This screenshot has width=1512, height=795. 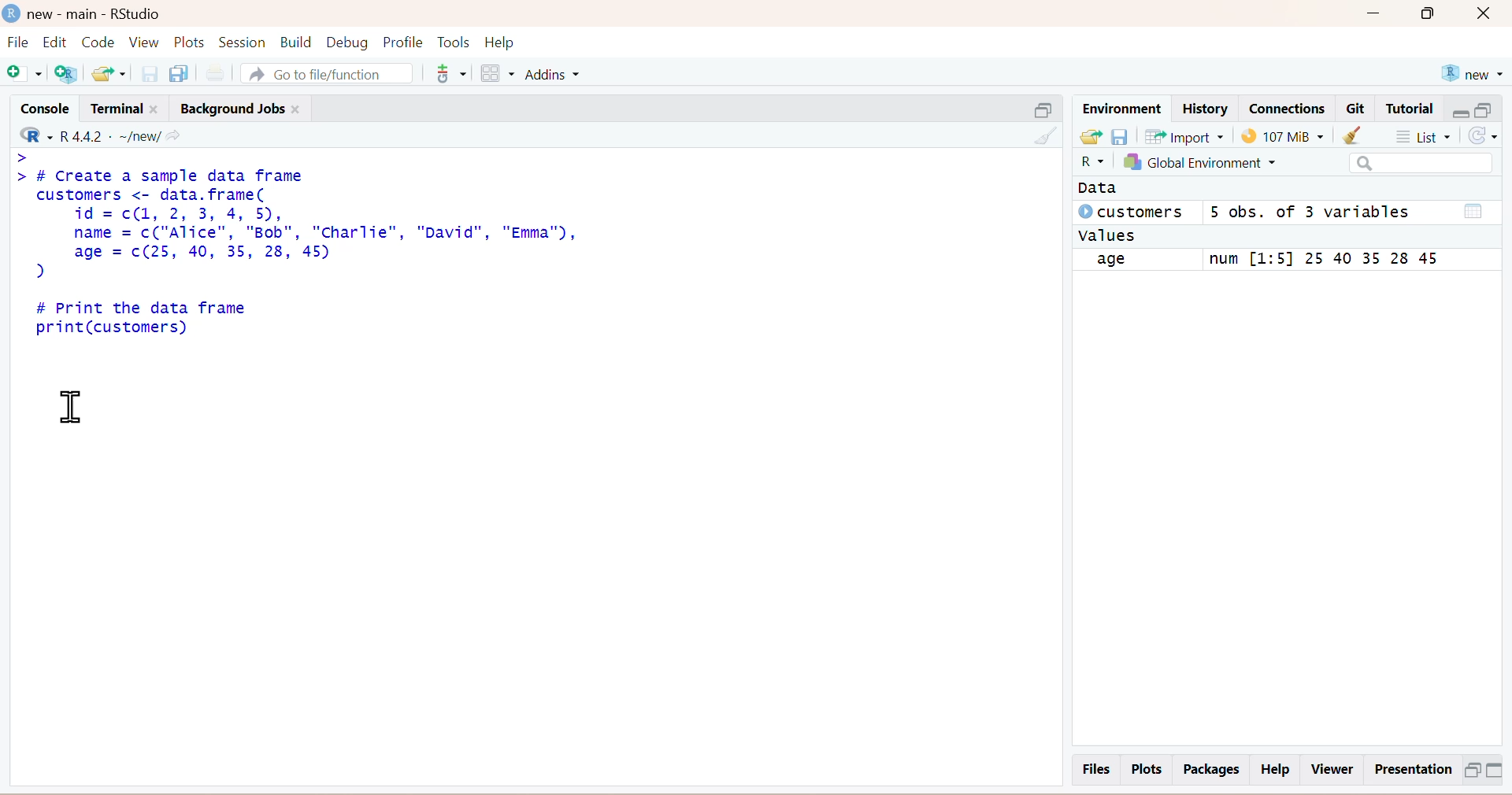 What do you see at coordinates (1357, 109) in the screenshot?
I see `Git` at bounding box center [1357, 109].